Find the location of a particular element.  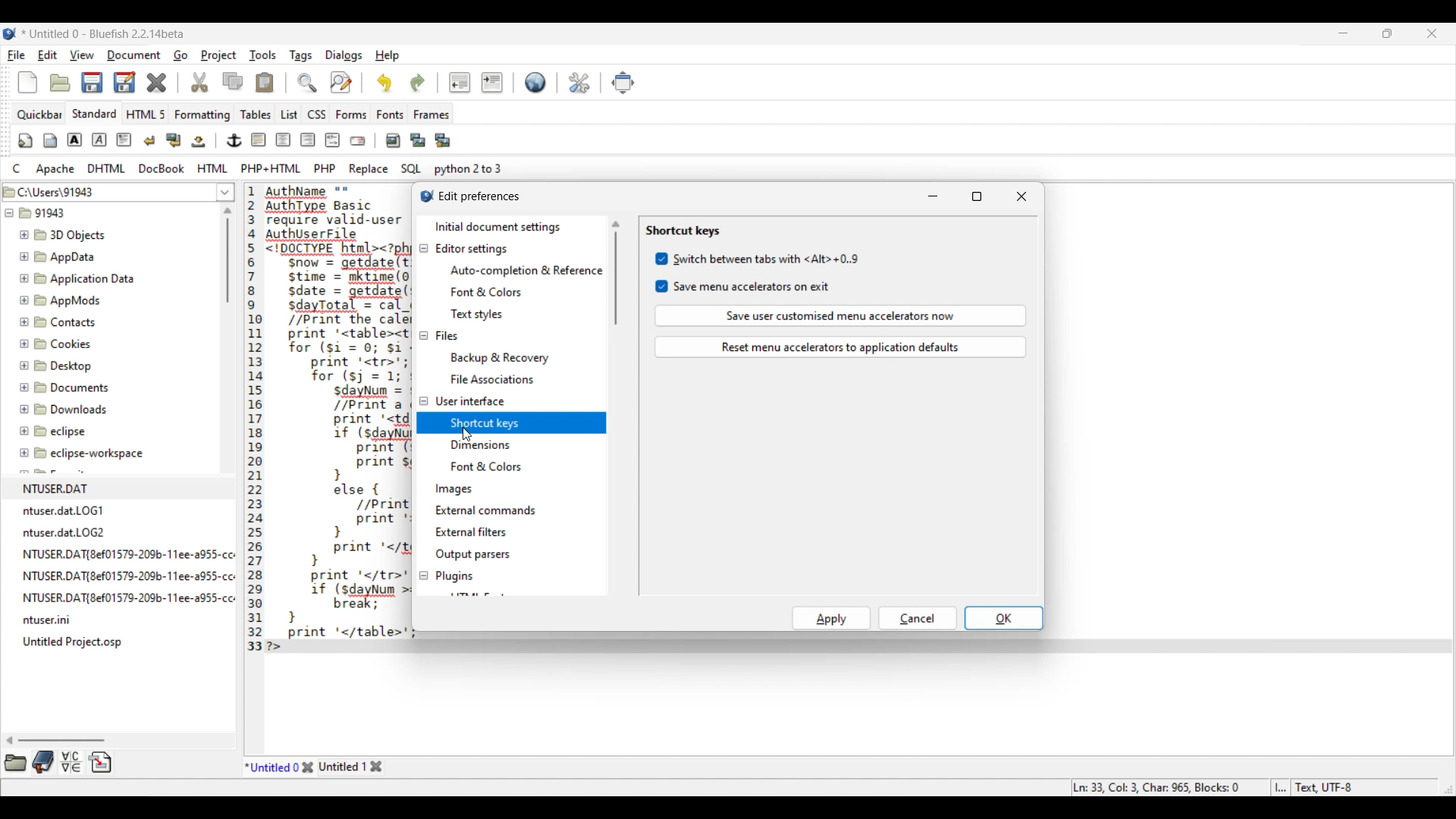

Editor setting options is located at coordinates (526, 292).